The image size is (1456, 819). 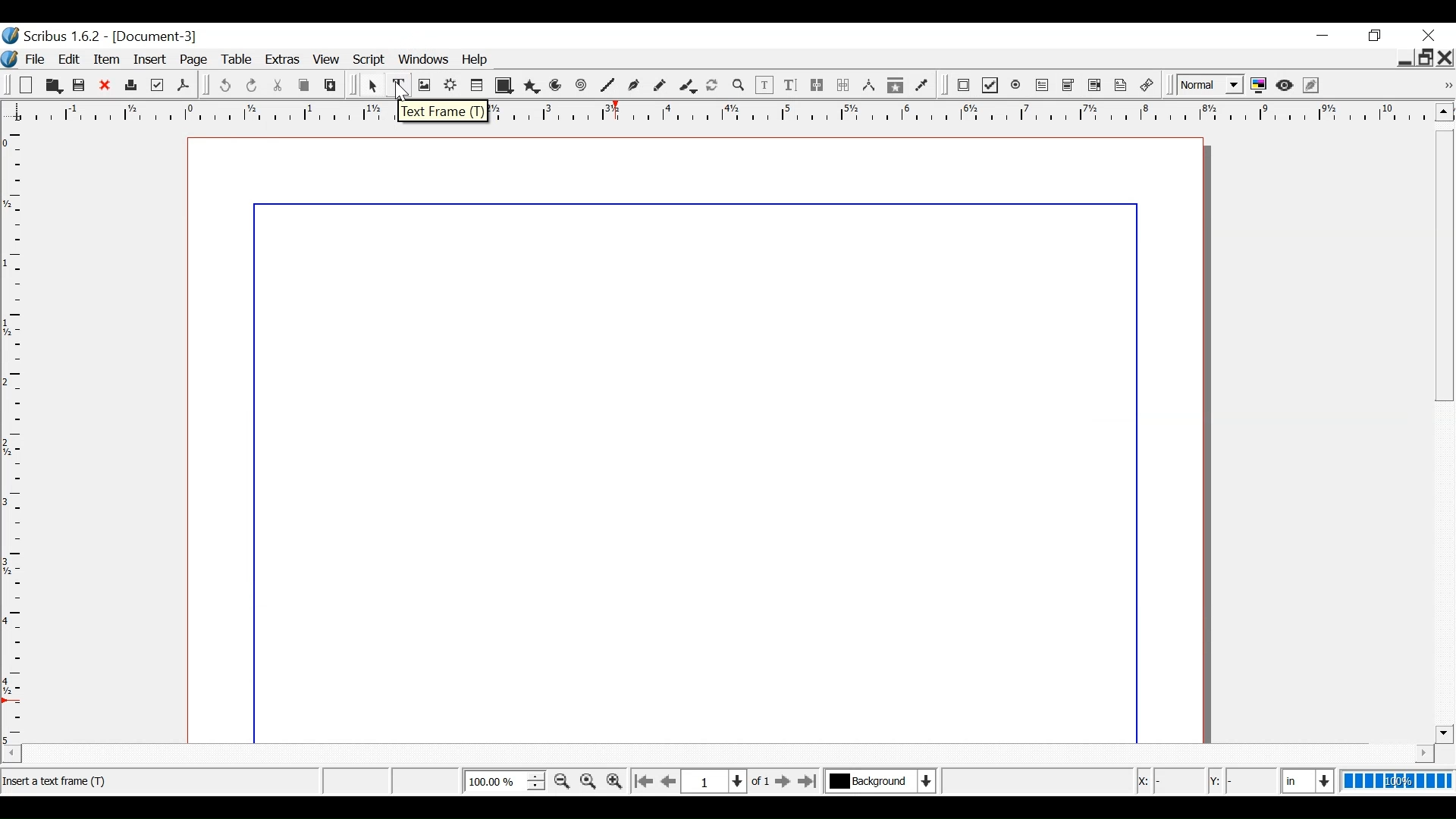 What do you see at coordinates (877, 780) in the screenshot?
I see `Select the current layer` at bounding box center [877, 780].